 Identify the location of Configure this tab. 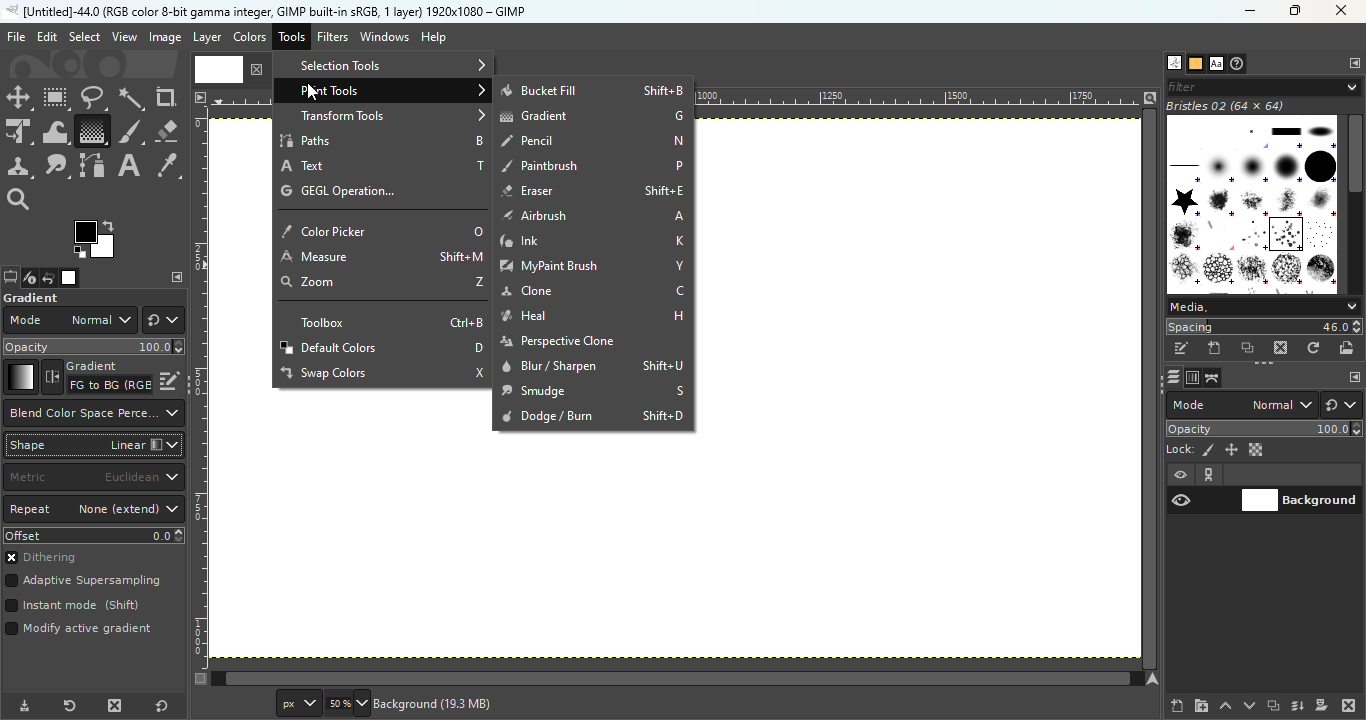
(1353, 64).